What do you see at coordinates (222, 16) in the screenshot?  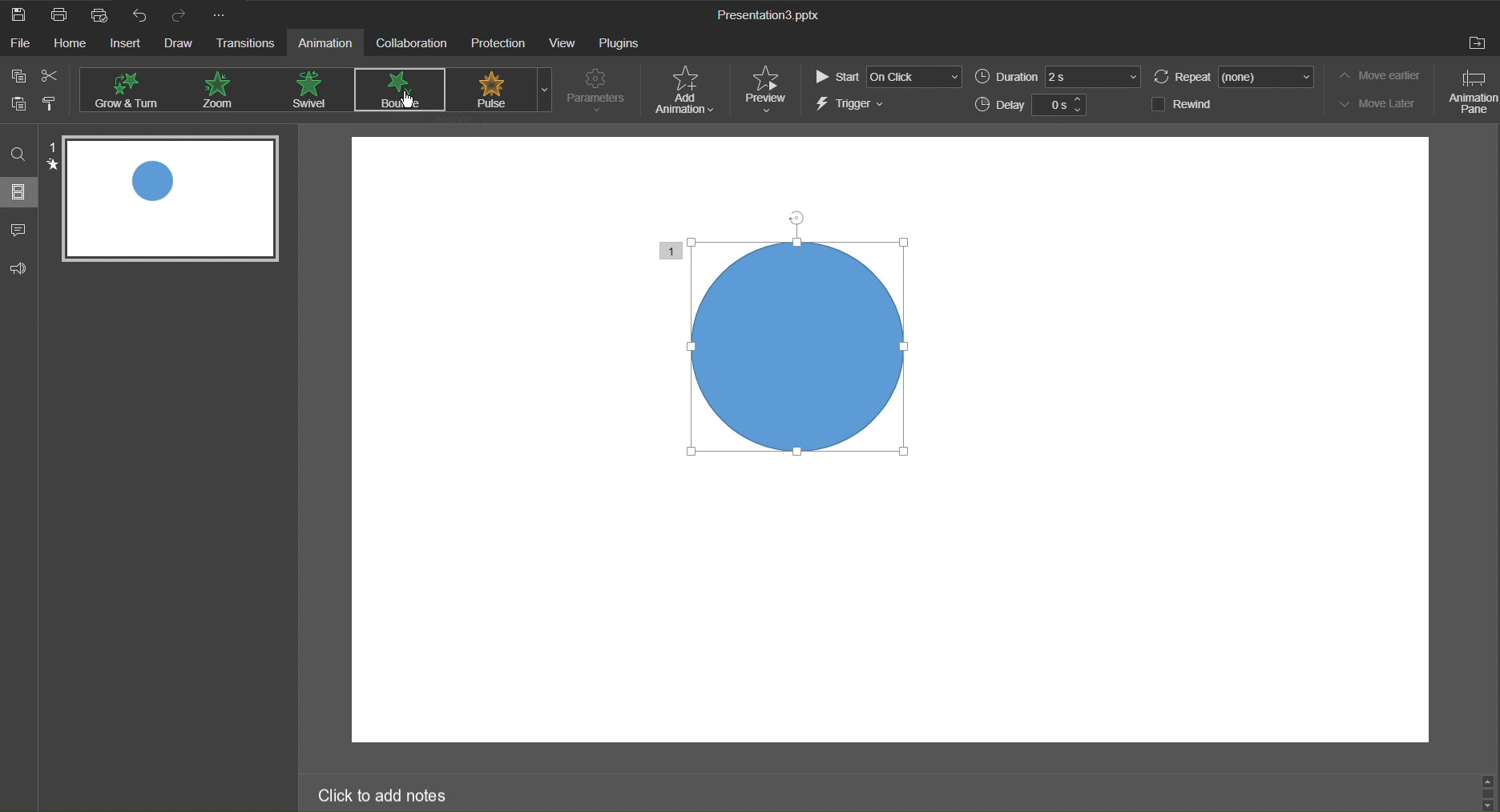 I see `More` at bounding box center [222, 16].